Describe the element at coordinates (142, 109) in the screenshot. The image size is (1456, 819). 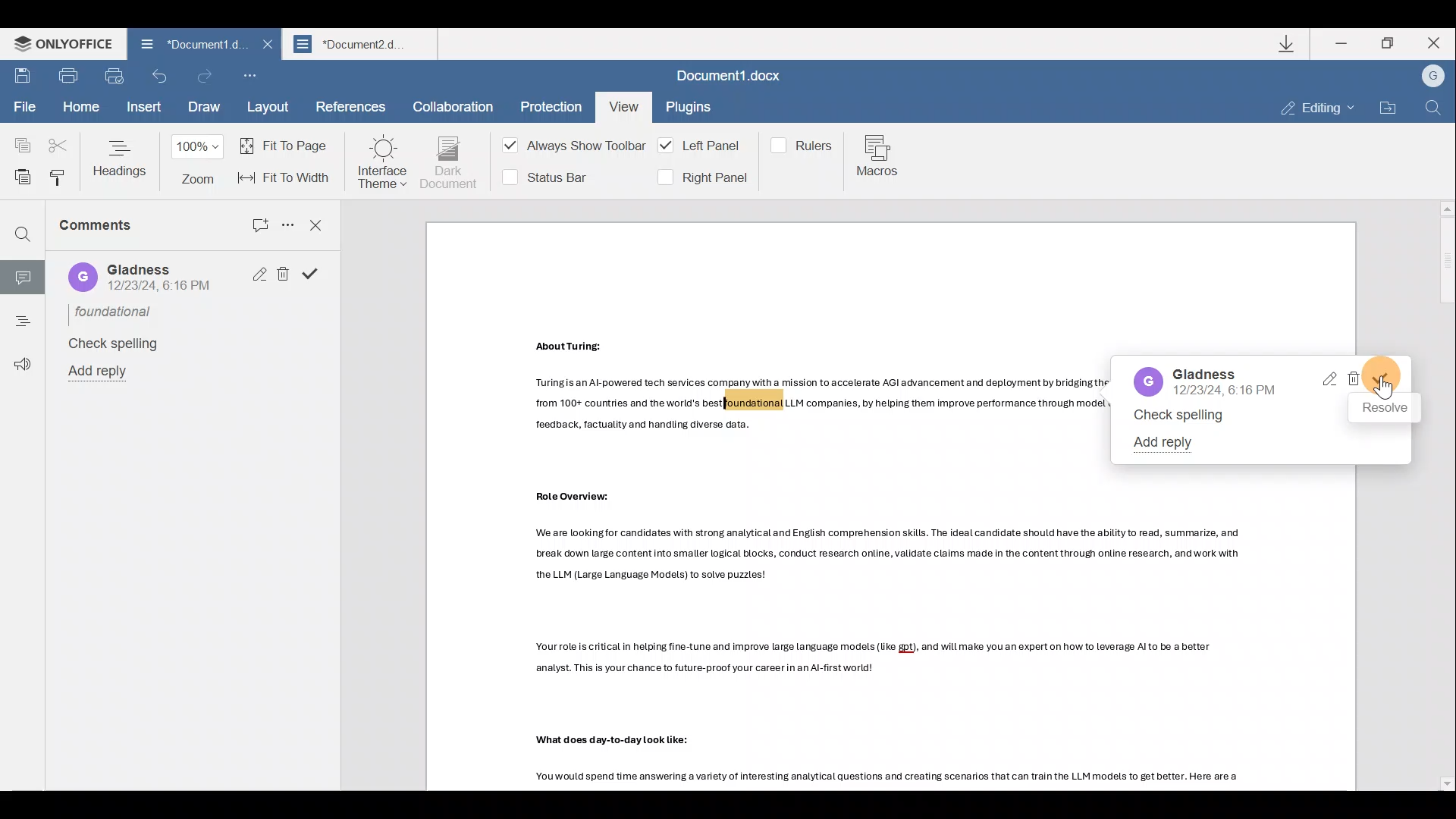
I see `Insert` at that location.